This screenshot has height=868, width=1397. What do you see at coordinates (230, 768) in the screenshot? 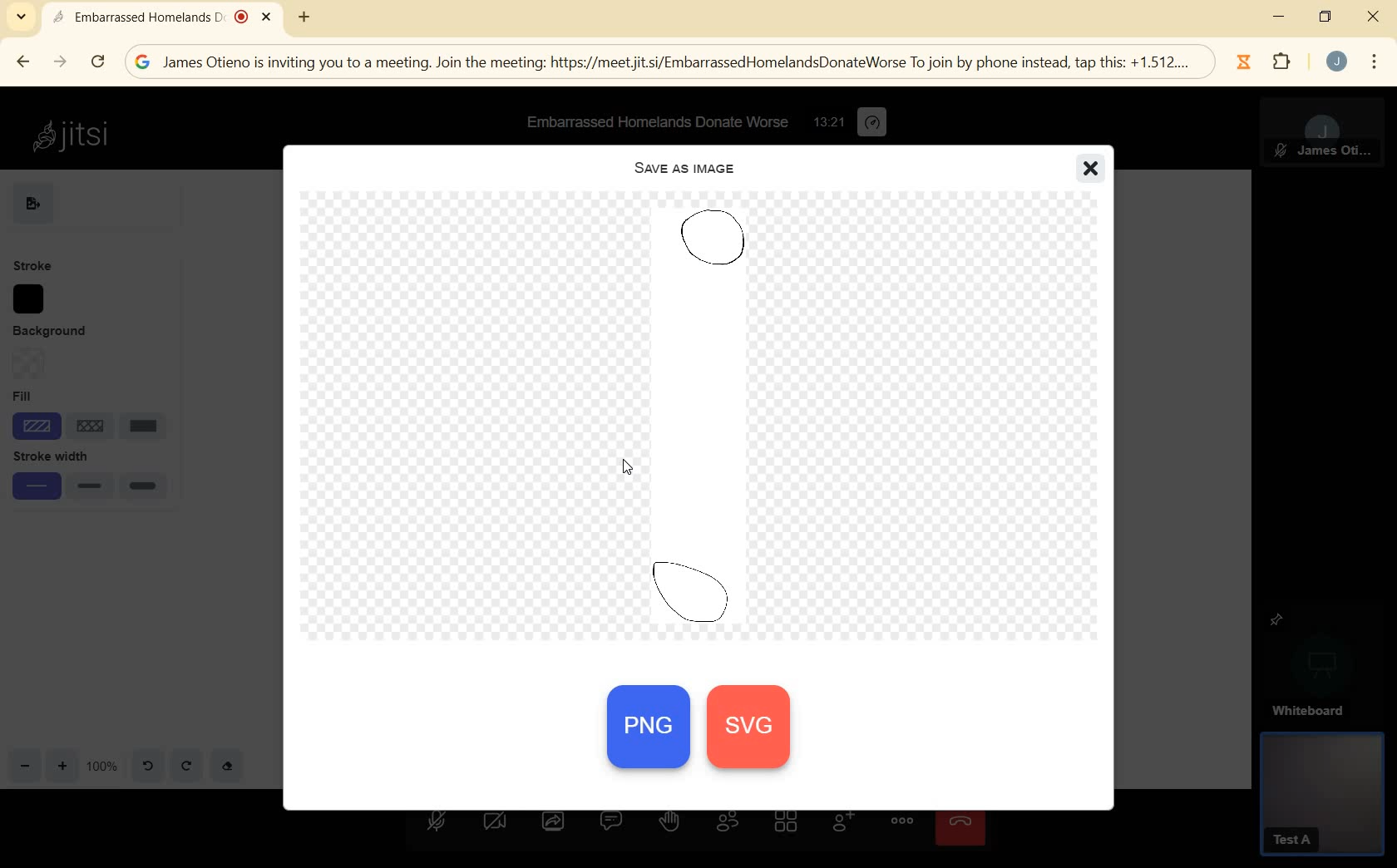
I see `eraser` at bounding box center [230, 768].